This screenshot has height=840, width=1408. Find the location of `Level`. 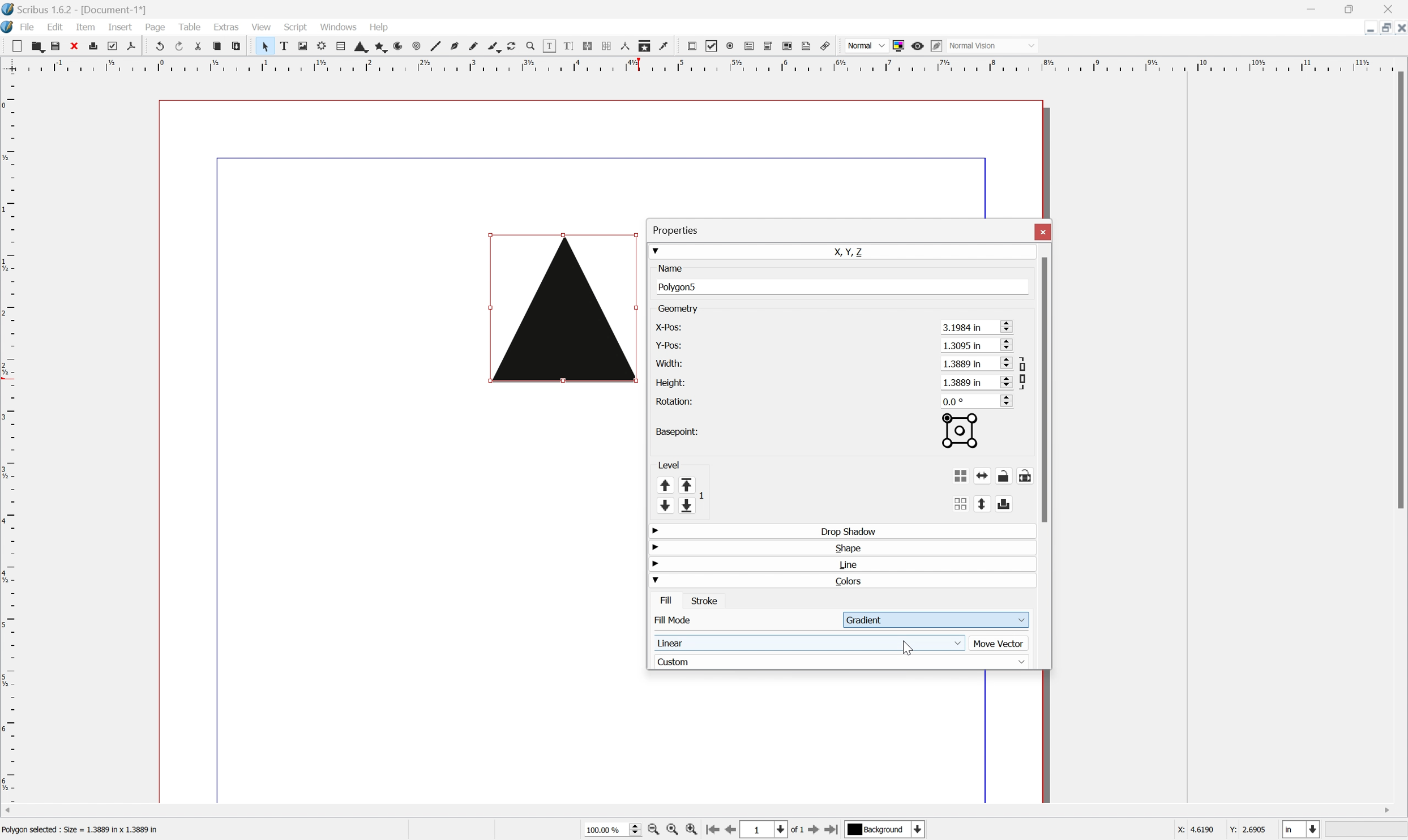

Level is located at coordinates (679, 494).